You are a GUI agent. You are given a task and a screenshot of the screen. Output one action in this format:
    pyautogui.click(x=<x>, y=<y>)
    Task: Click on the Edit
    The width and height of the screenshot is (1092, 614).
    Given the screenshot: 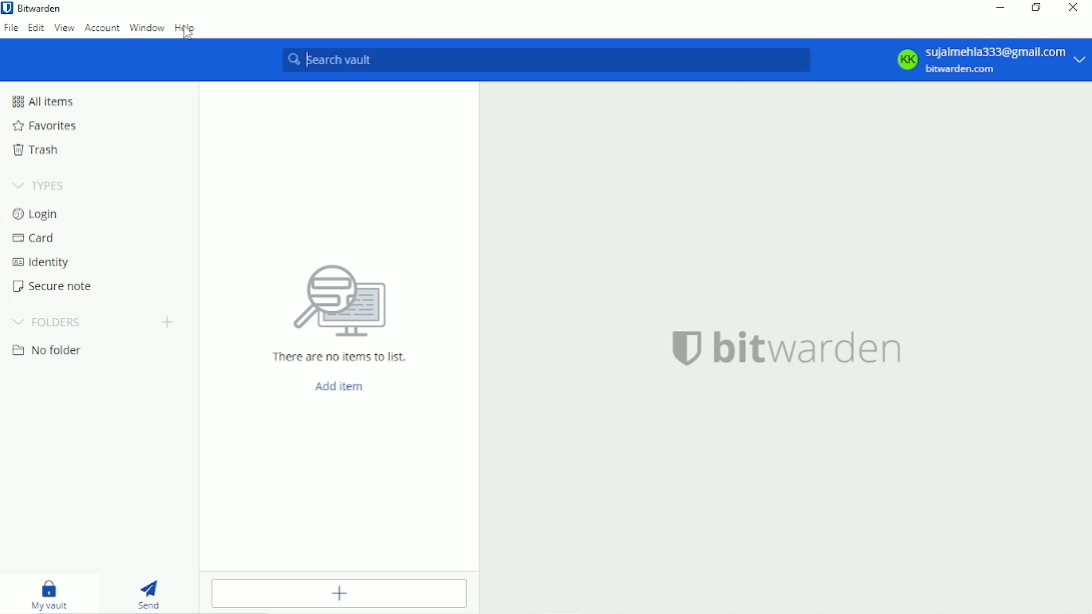 What is the action you would take?
    pyautogui.click(x=36, y=29)
    